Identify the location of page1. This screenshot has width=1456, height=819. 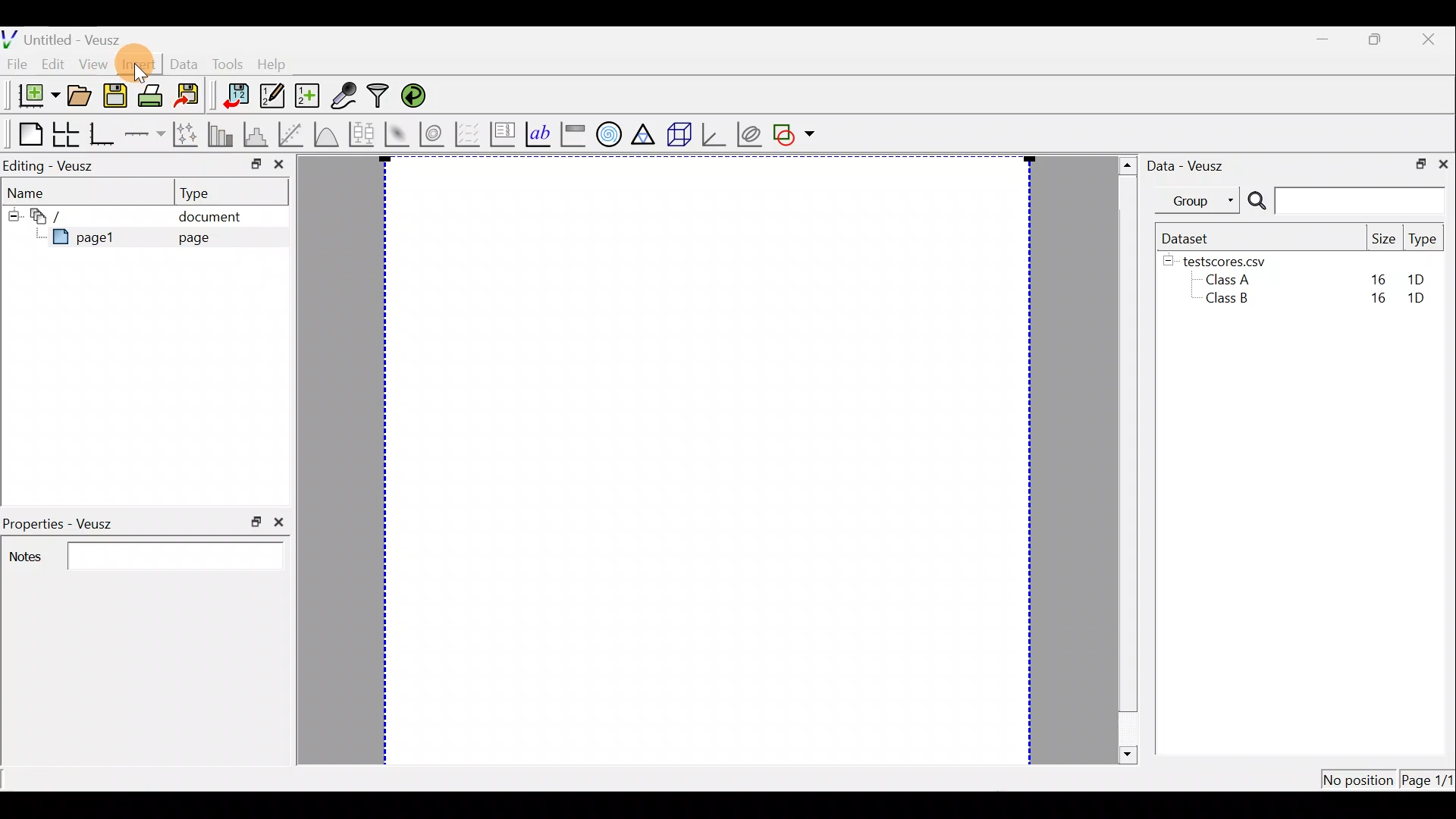
(78, 241).